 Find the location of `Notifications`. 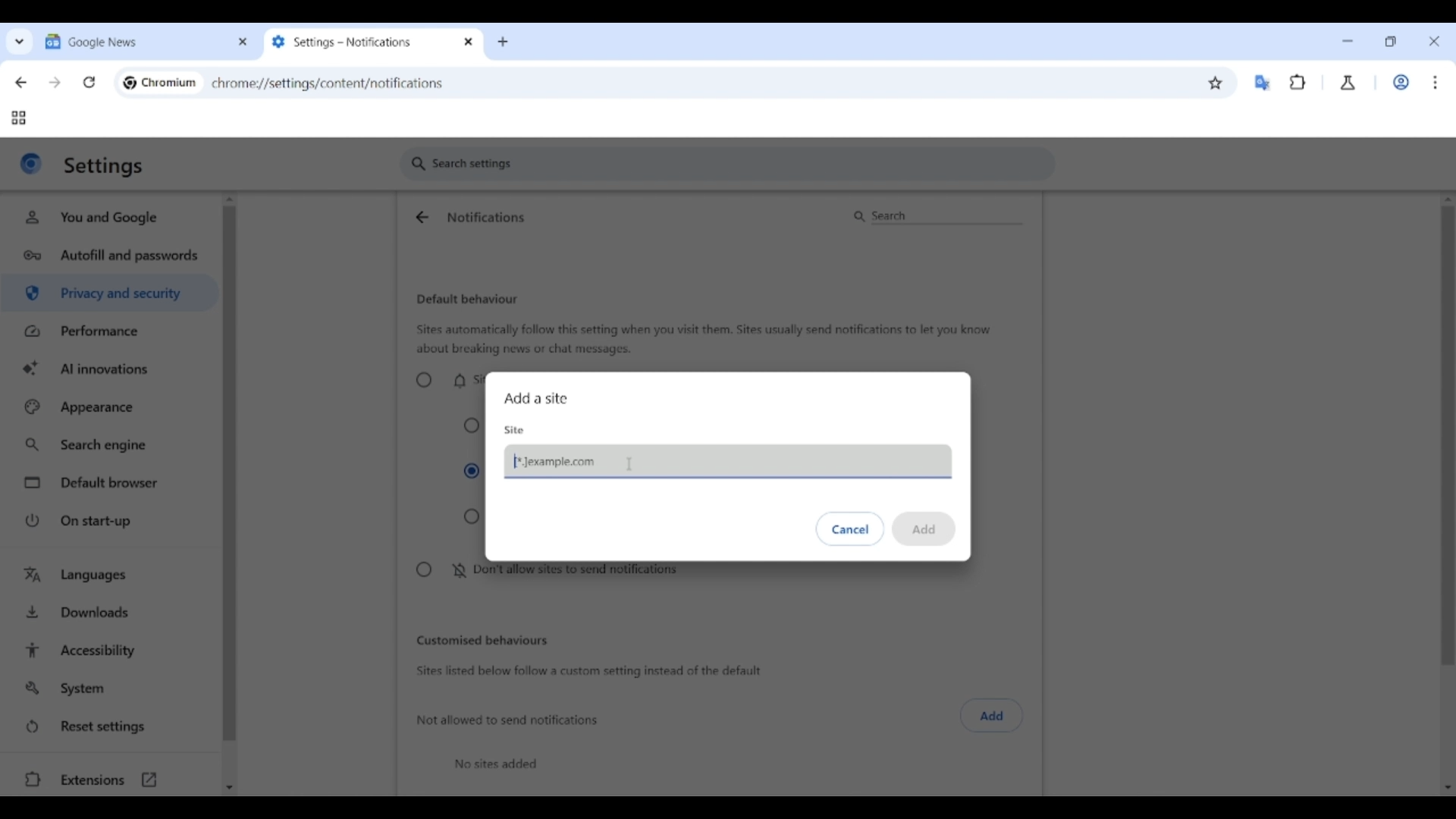

Notifications is located at coordinates (486, 217).